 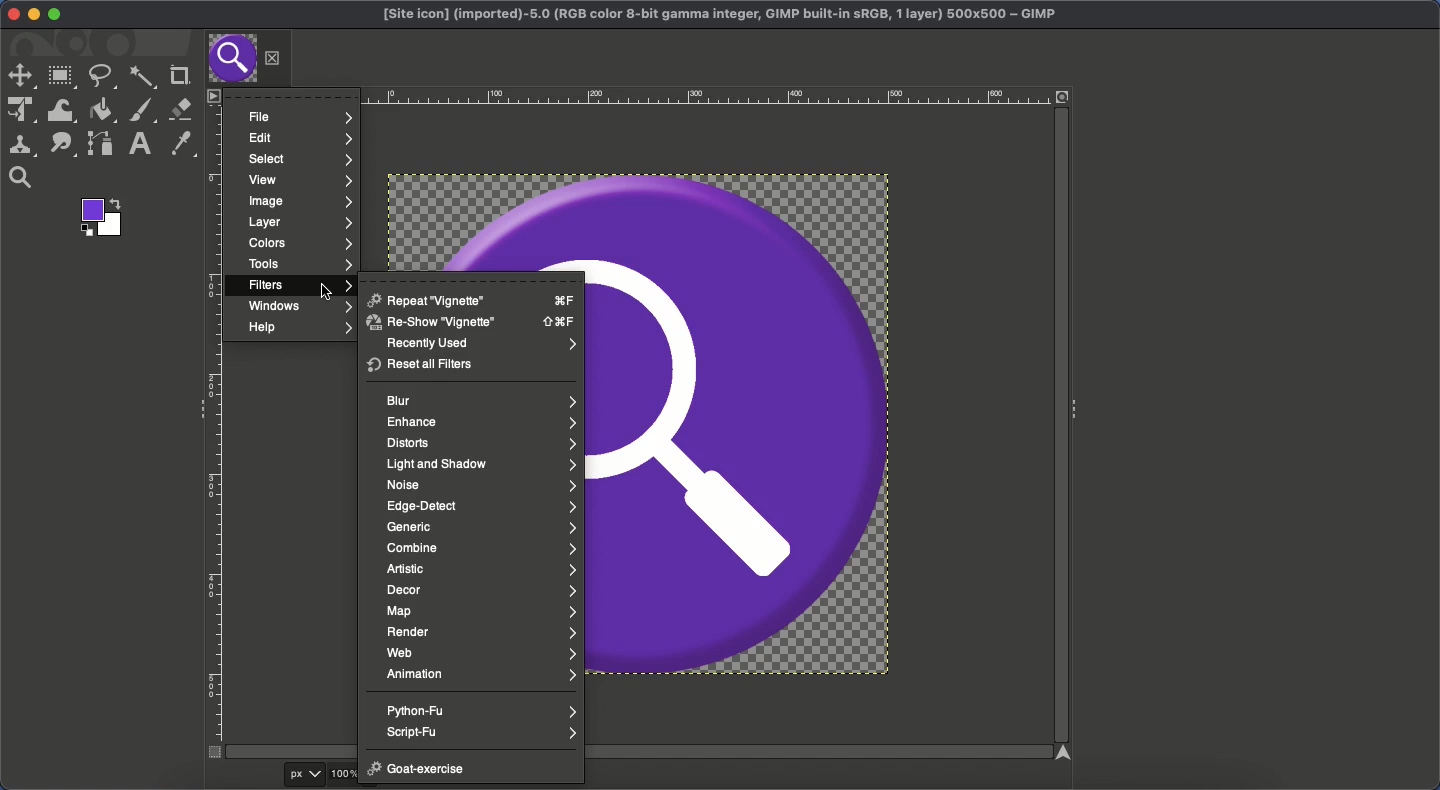 What do you see at coordinates (101, 143) in the screenshot?
I see `Path` at bounding box center [101, 143].